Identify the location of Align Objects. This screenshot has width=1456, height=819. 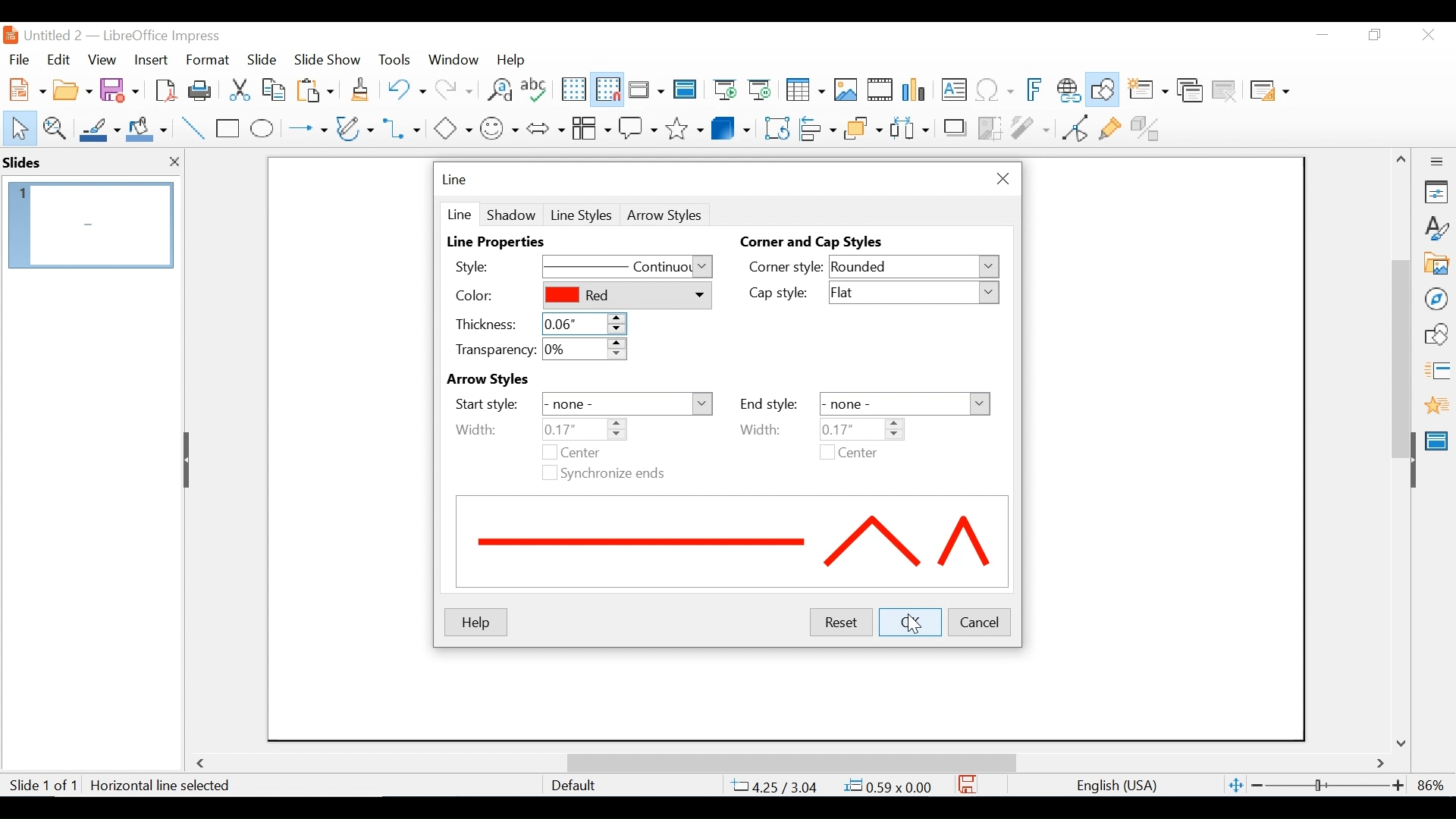
(816, 127).